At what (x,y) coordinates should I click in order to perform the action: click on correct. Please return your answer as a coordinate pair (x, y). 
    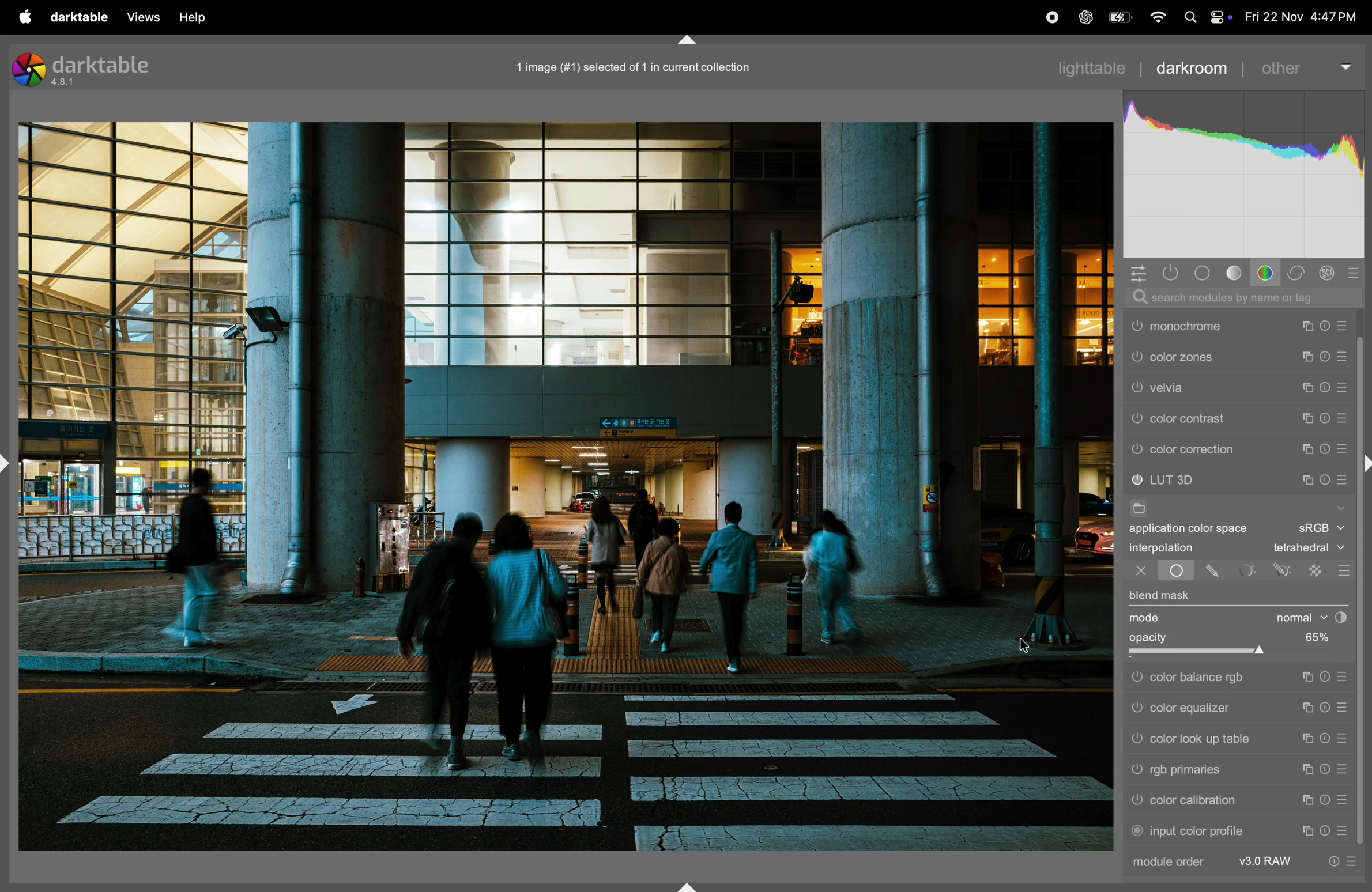
    Looking at the image, I should click on (1297, 272).